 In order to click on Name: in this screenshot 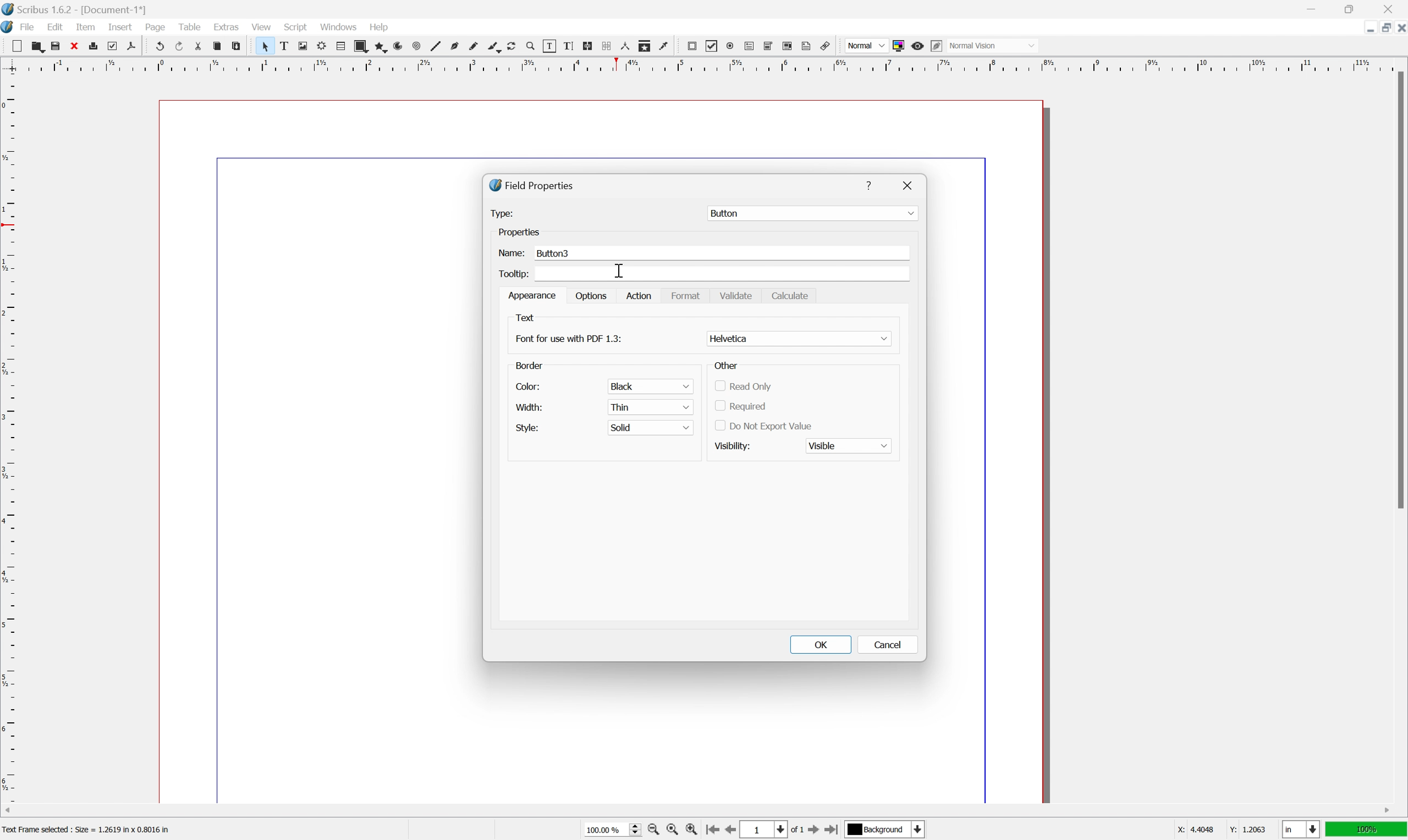, I will do `click(512, 251)`.